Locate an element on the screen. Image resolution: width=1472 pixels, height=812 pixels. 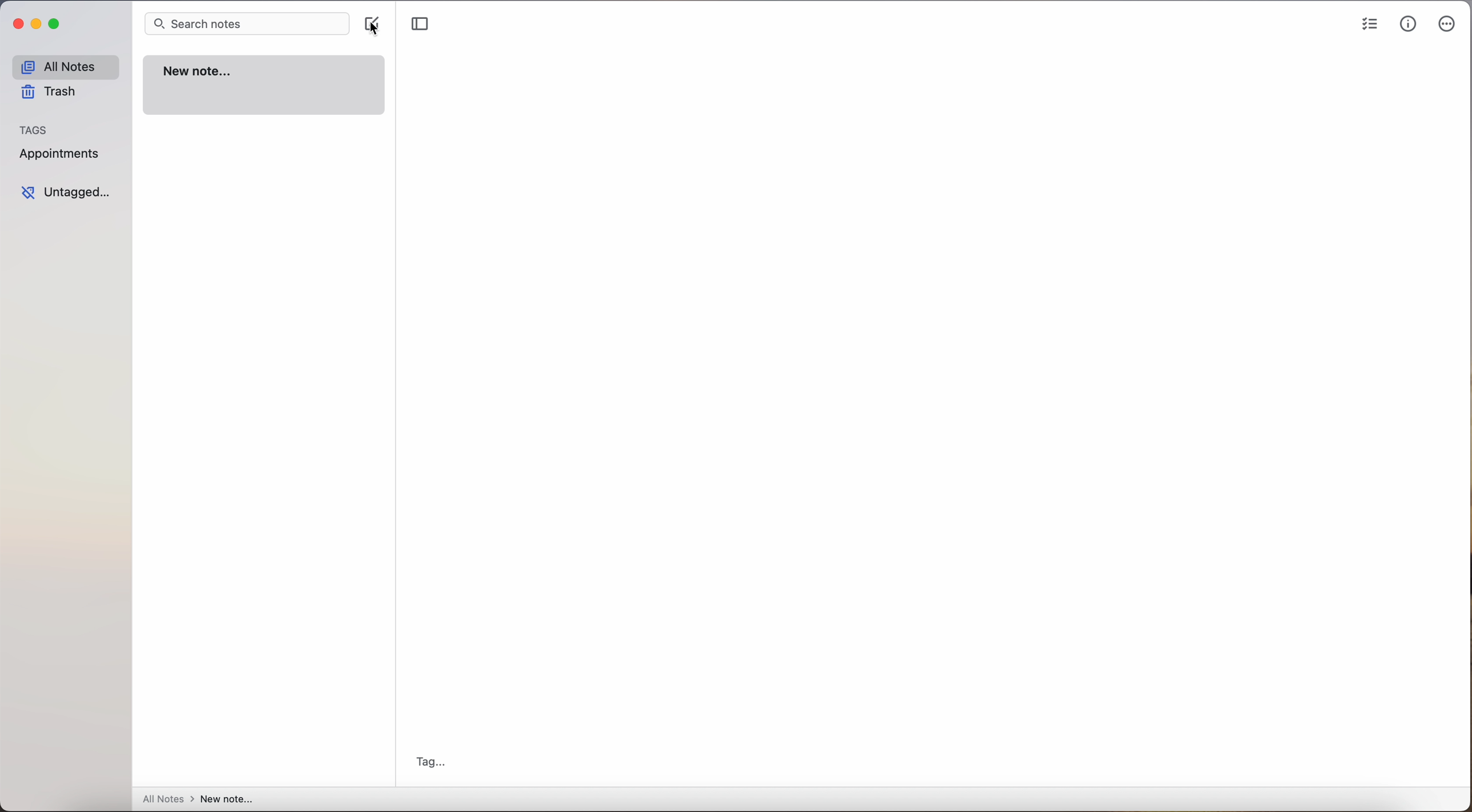
appointments tag is located at coordinates (61, 151).